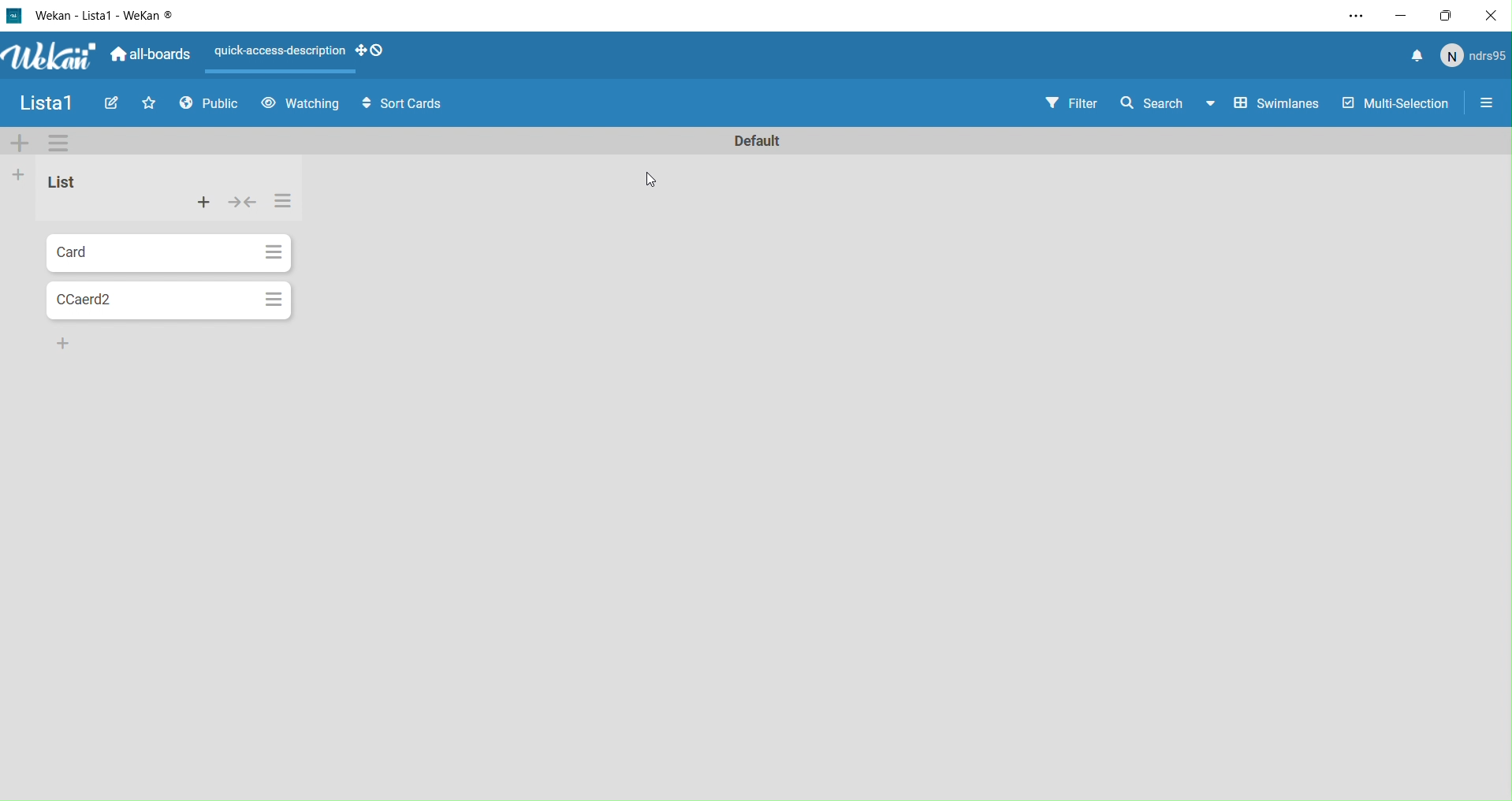 The height and width of the screenshot is (801, 1512). I want to click on User, so click(1473, 58).